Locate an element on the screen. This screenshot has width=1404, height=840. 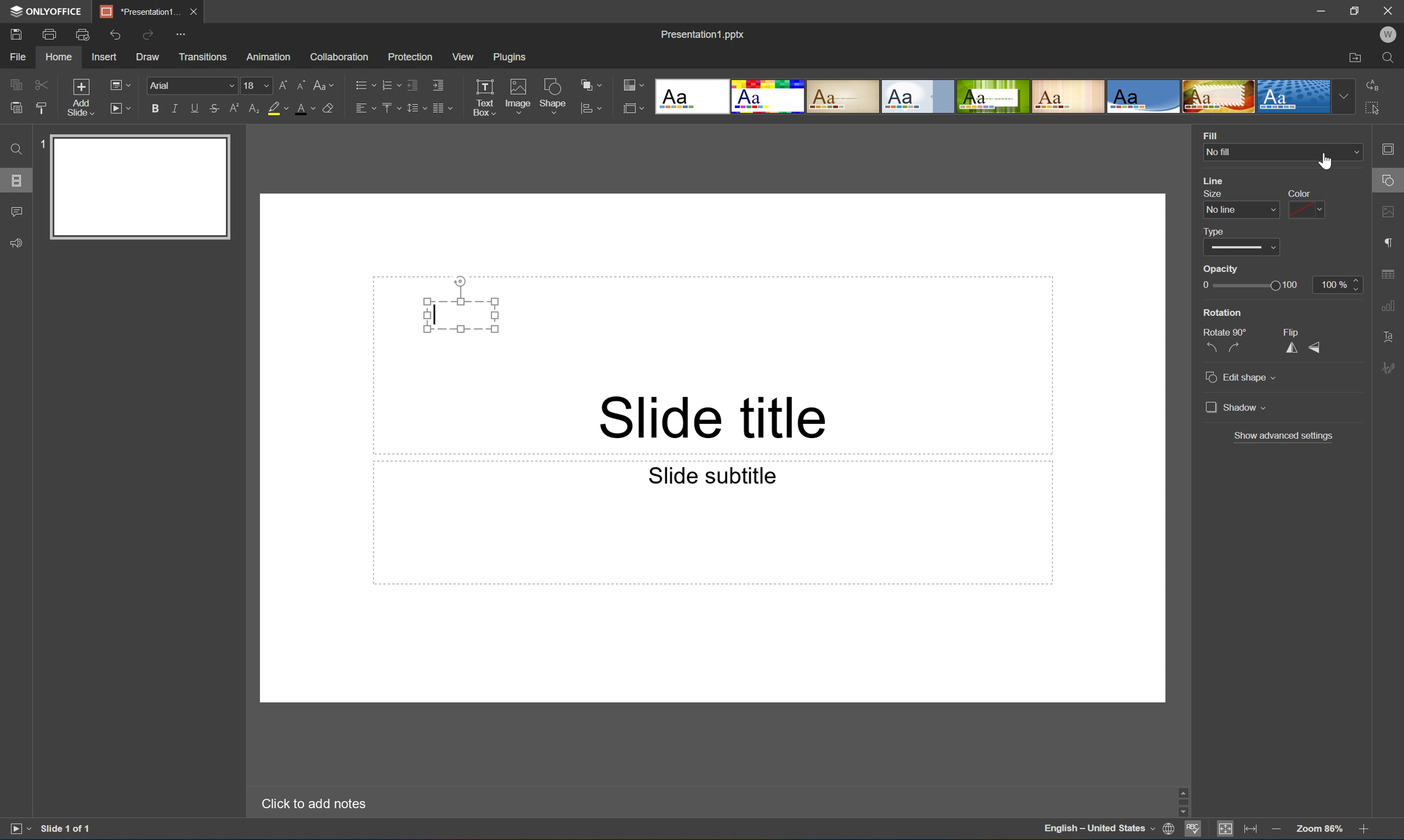
Start slideshow is located at coordinates (19, 828).